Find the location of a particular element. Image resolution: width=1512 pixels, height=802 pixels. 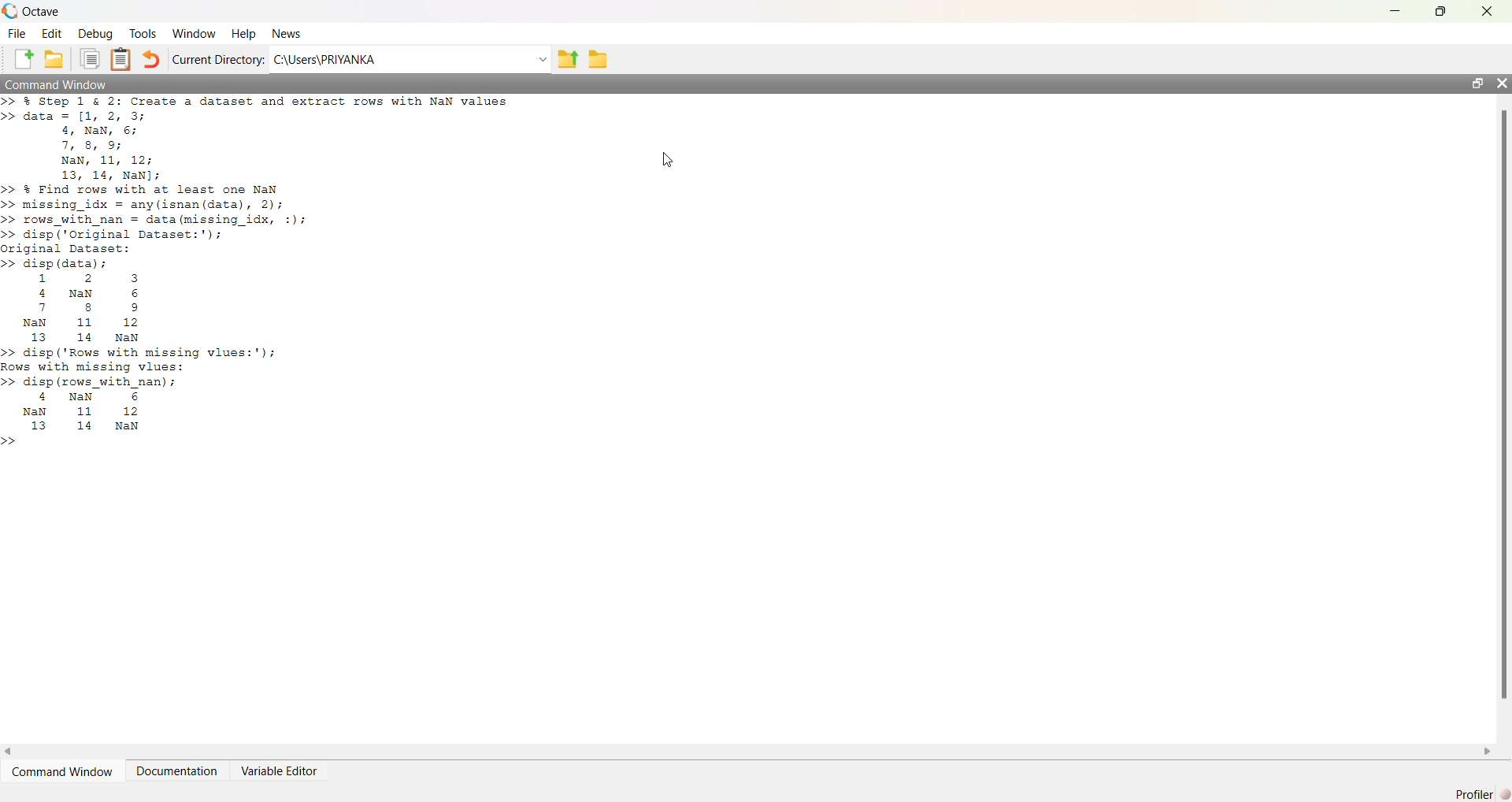

Clipboard is located at coordinates (120, 59).